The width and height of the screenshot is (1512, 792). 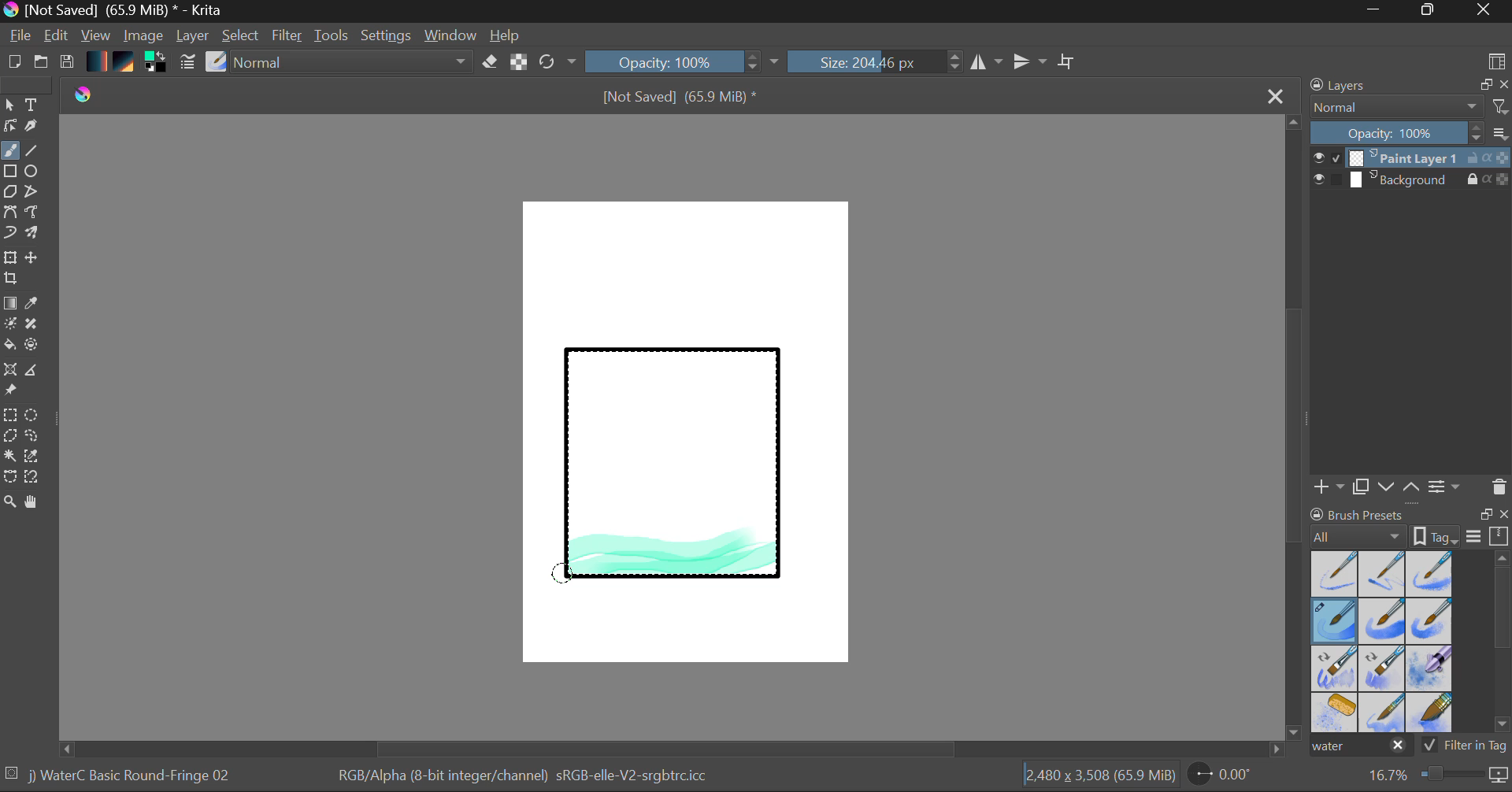 I want to click on Transform Layer, so click(x=9, y=256).